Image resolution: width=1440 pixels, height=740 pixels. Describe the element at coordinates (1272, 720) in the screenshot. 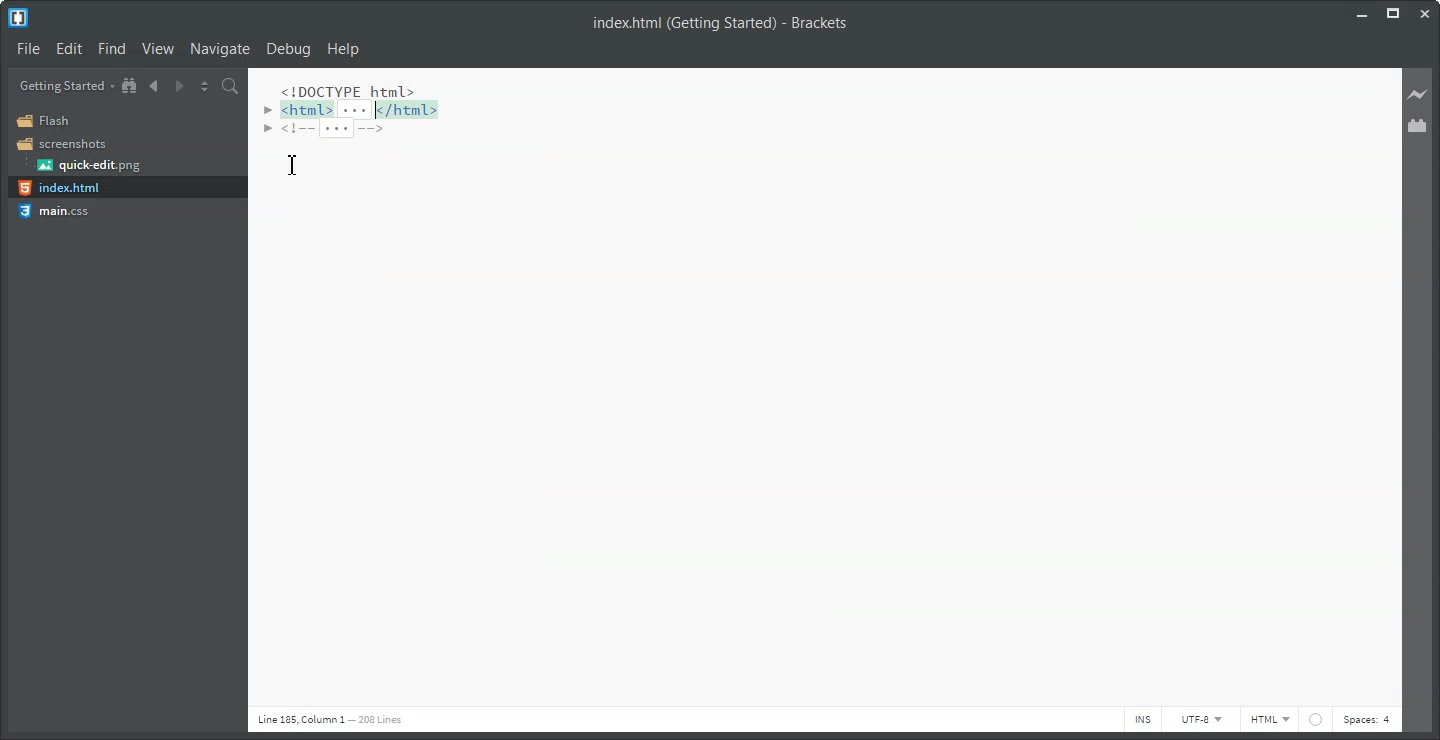

I see `HTML` at that location.